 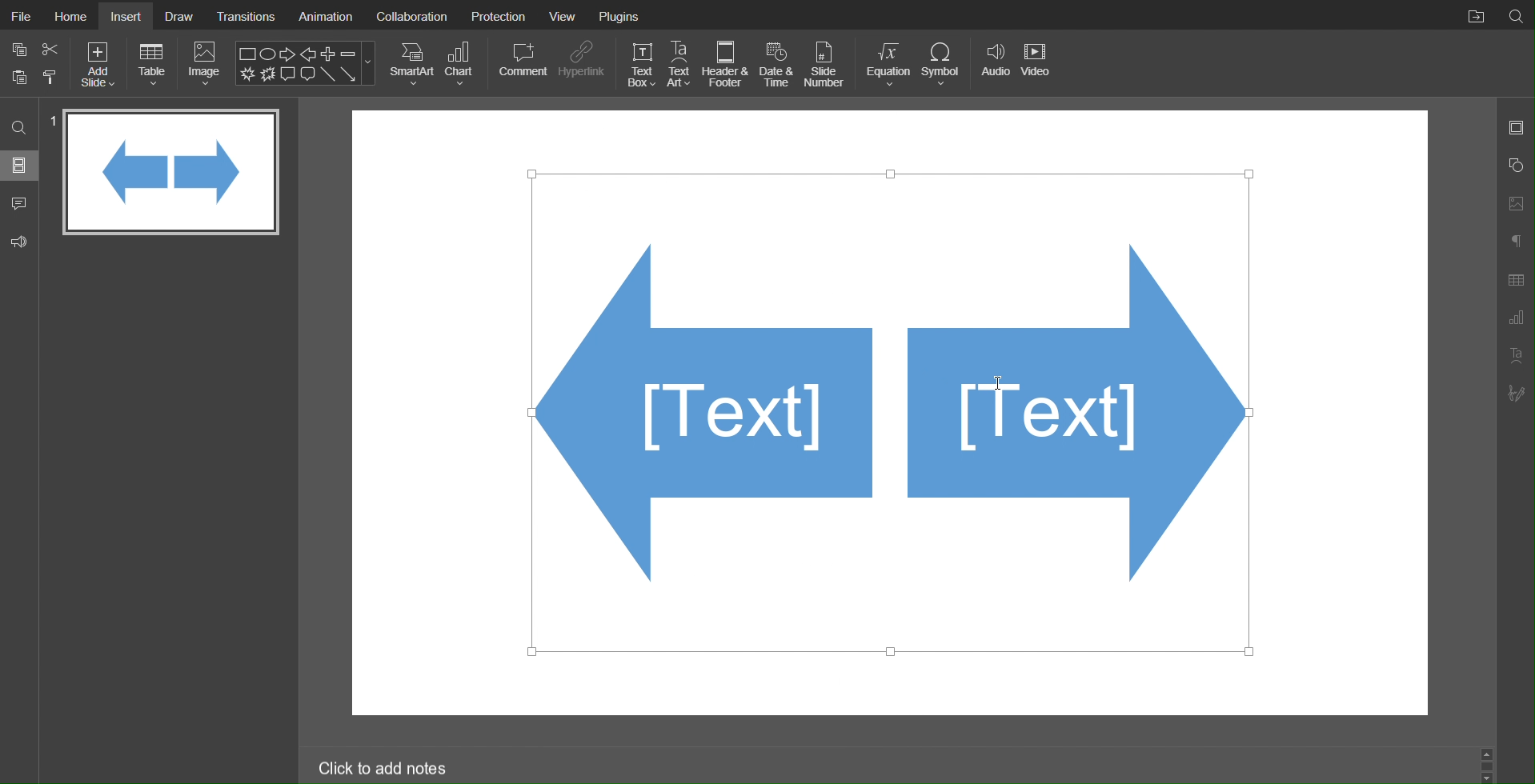 What do you see at coordinates (20, 202) in the screenshot?
I see `Comments` at bounding box center [20, 202].